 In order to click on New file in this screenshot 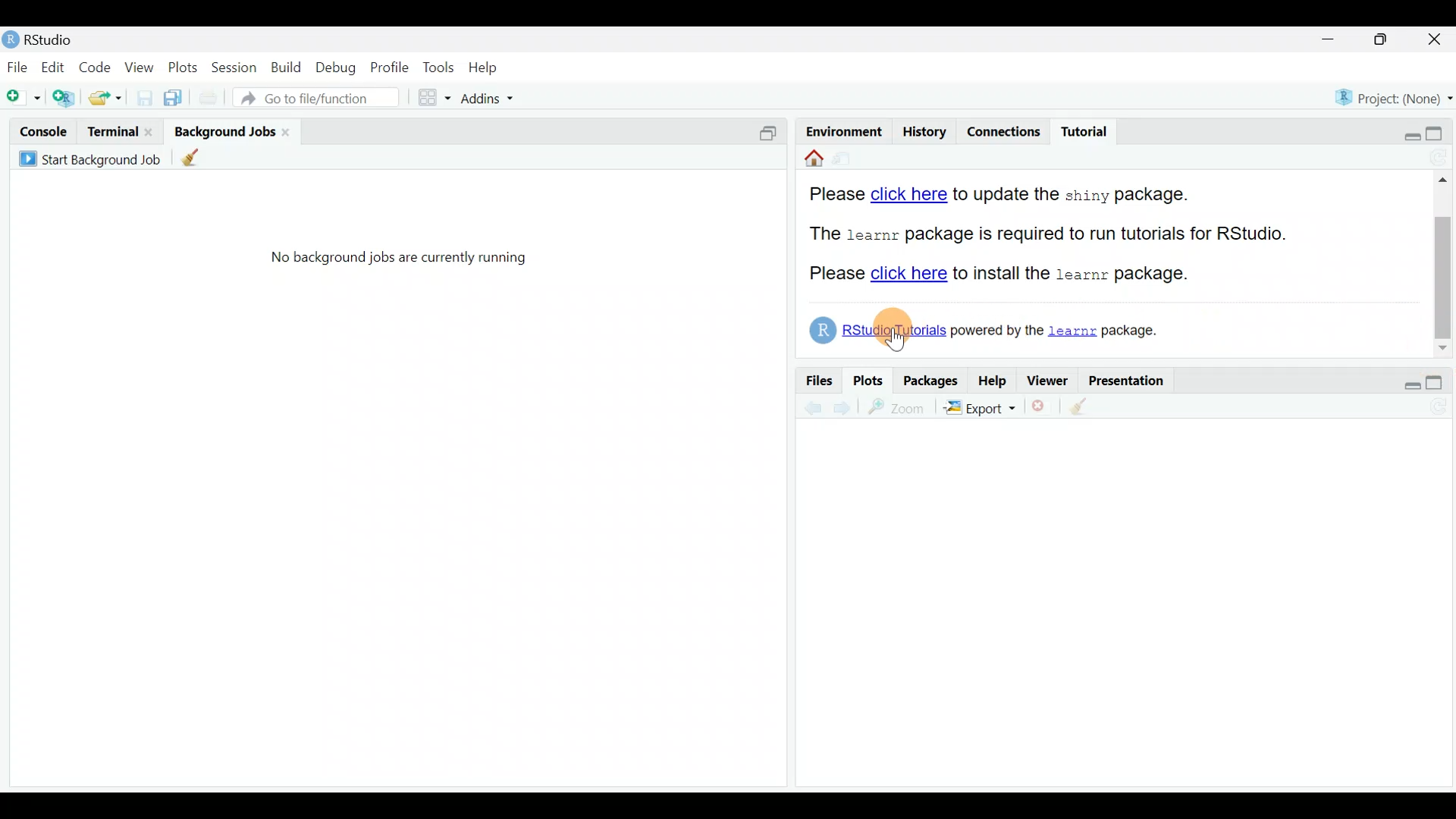, I will do `click(23, 99)`.